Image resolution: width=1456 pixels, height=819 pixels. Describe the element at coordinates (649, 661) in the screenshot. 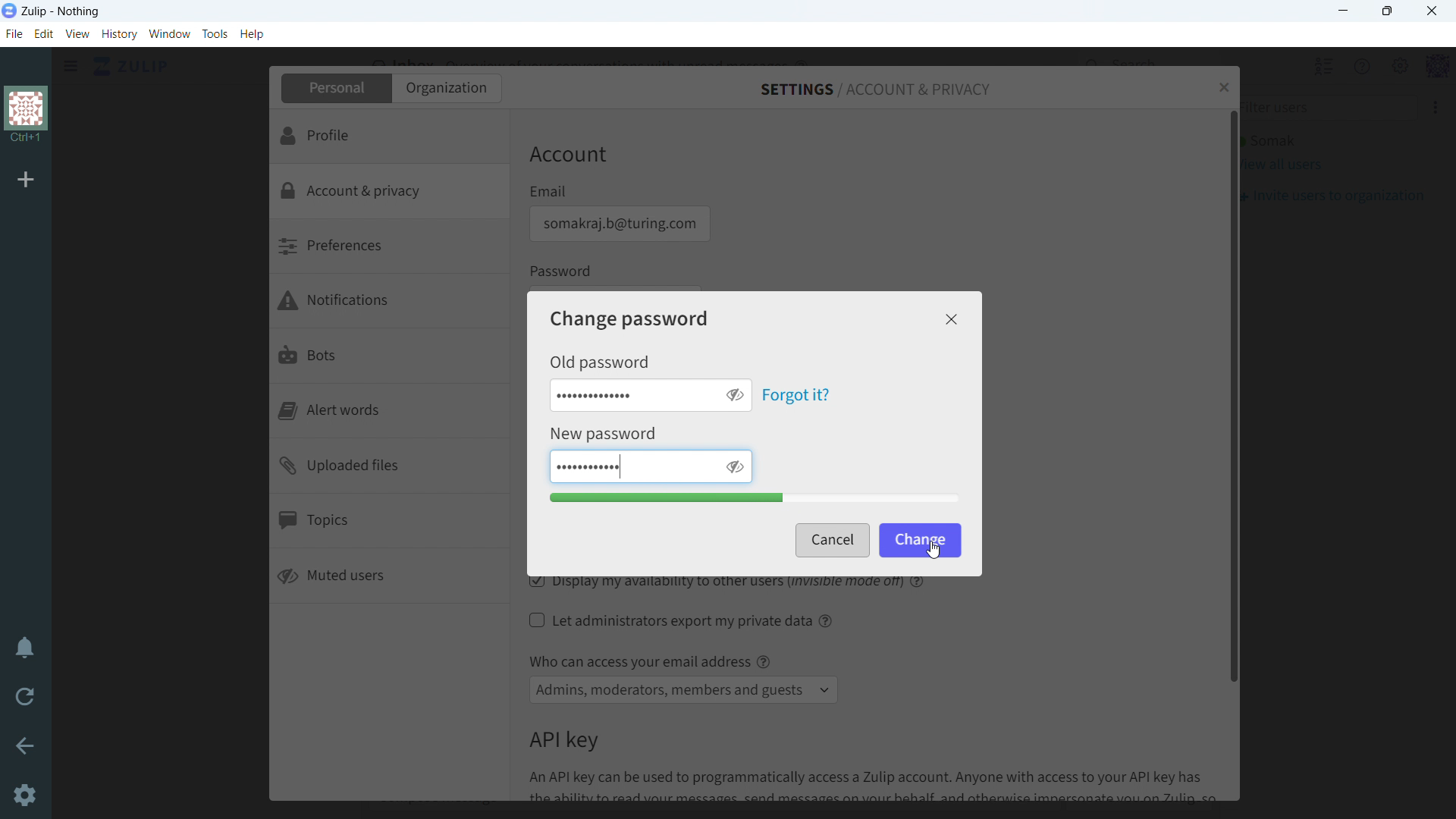

I see `Who can access your email address @` at that location.